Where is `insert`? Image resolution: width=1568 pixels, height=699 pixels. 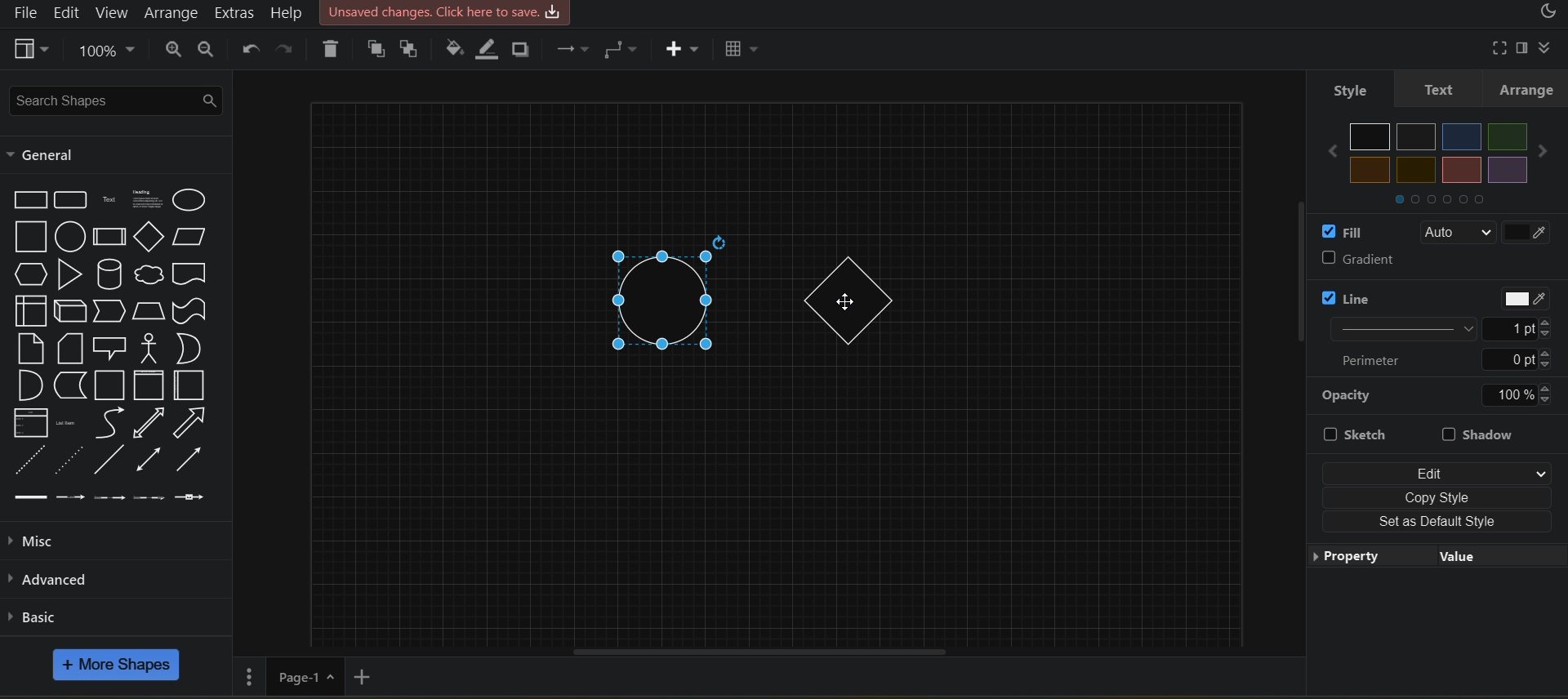 insert is located at coordinates (683, 49).